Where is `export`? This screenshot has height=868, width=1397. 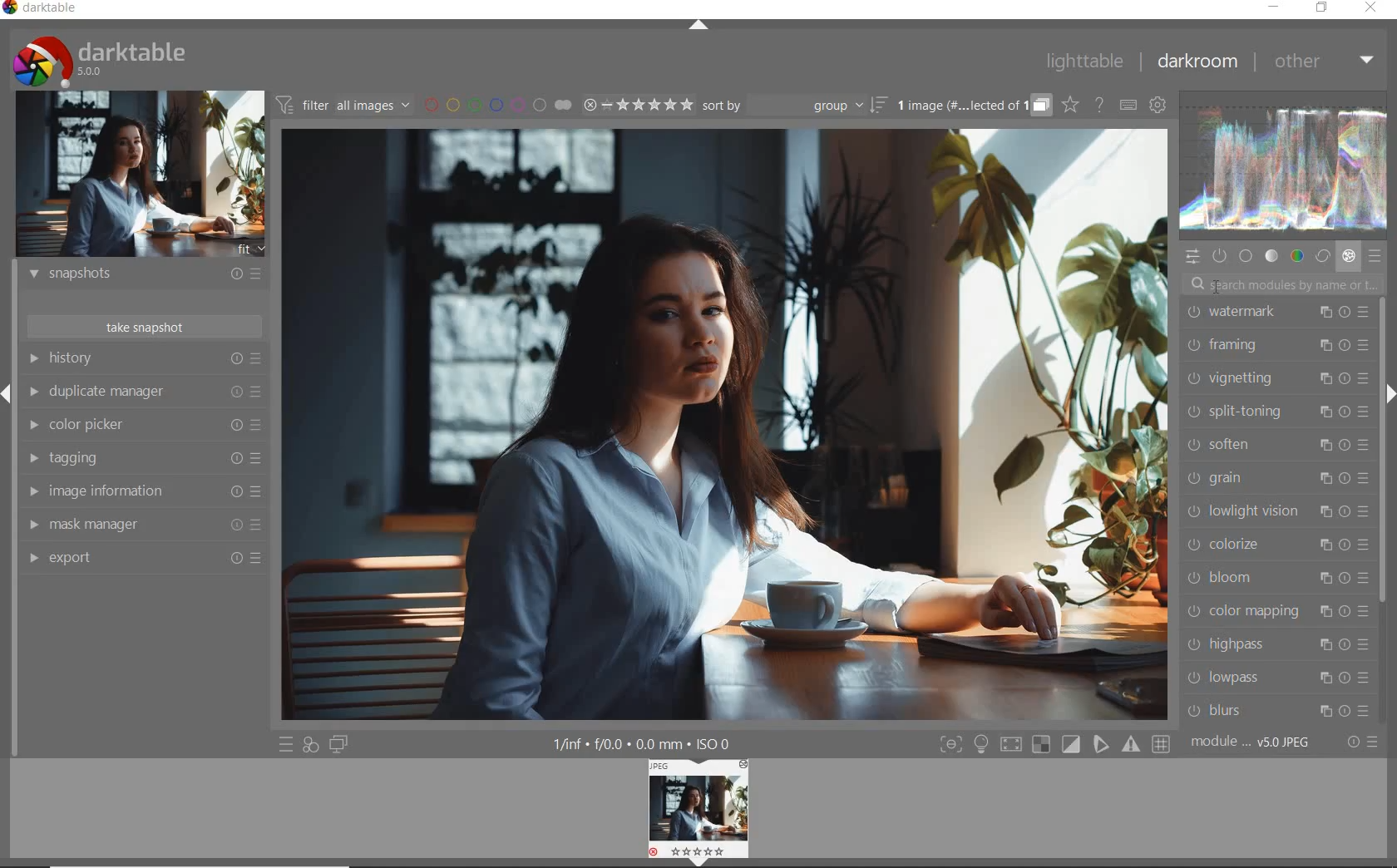 export is located at coordinates (141, 559).